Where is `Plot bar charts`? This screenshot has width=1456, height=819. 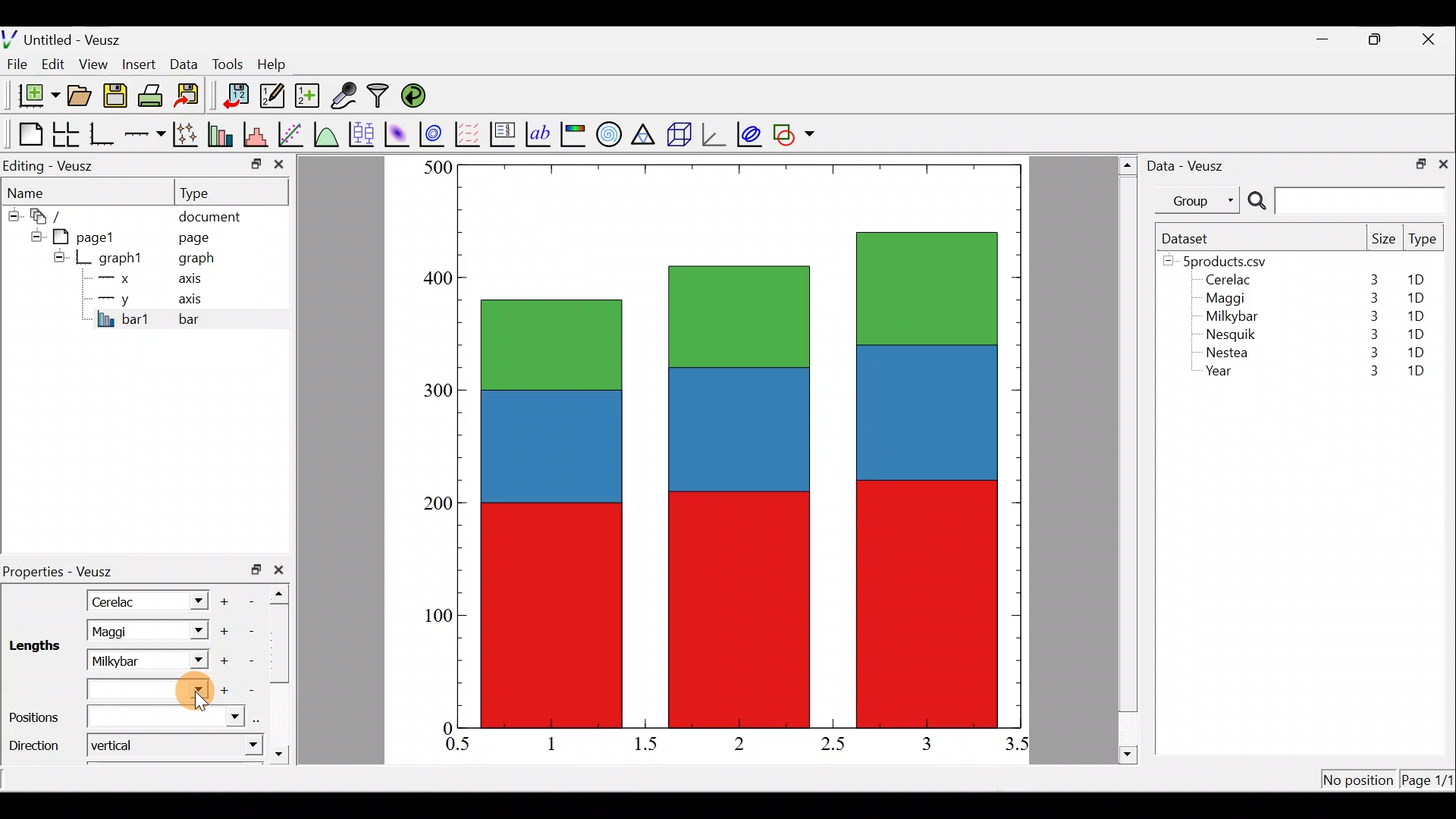
Plot bar charts is located at coordinates (222, 133).